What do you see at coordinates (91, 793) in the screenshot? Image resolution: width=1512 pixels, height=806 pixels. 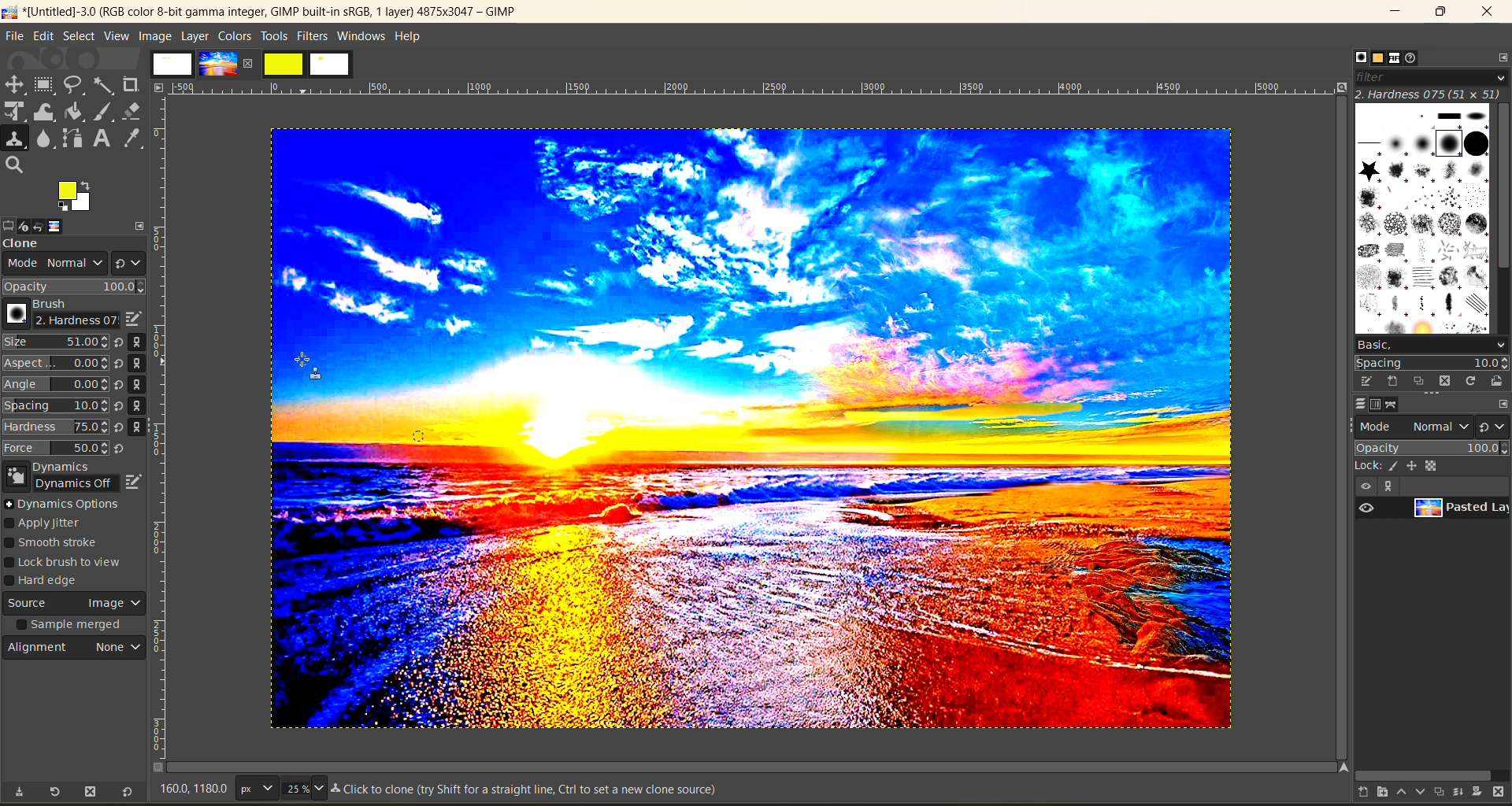 I see `delete tool preset` at bounding box center [91, 793].